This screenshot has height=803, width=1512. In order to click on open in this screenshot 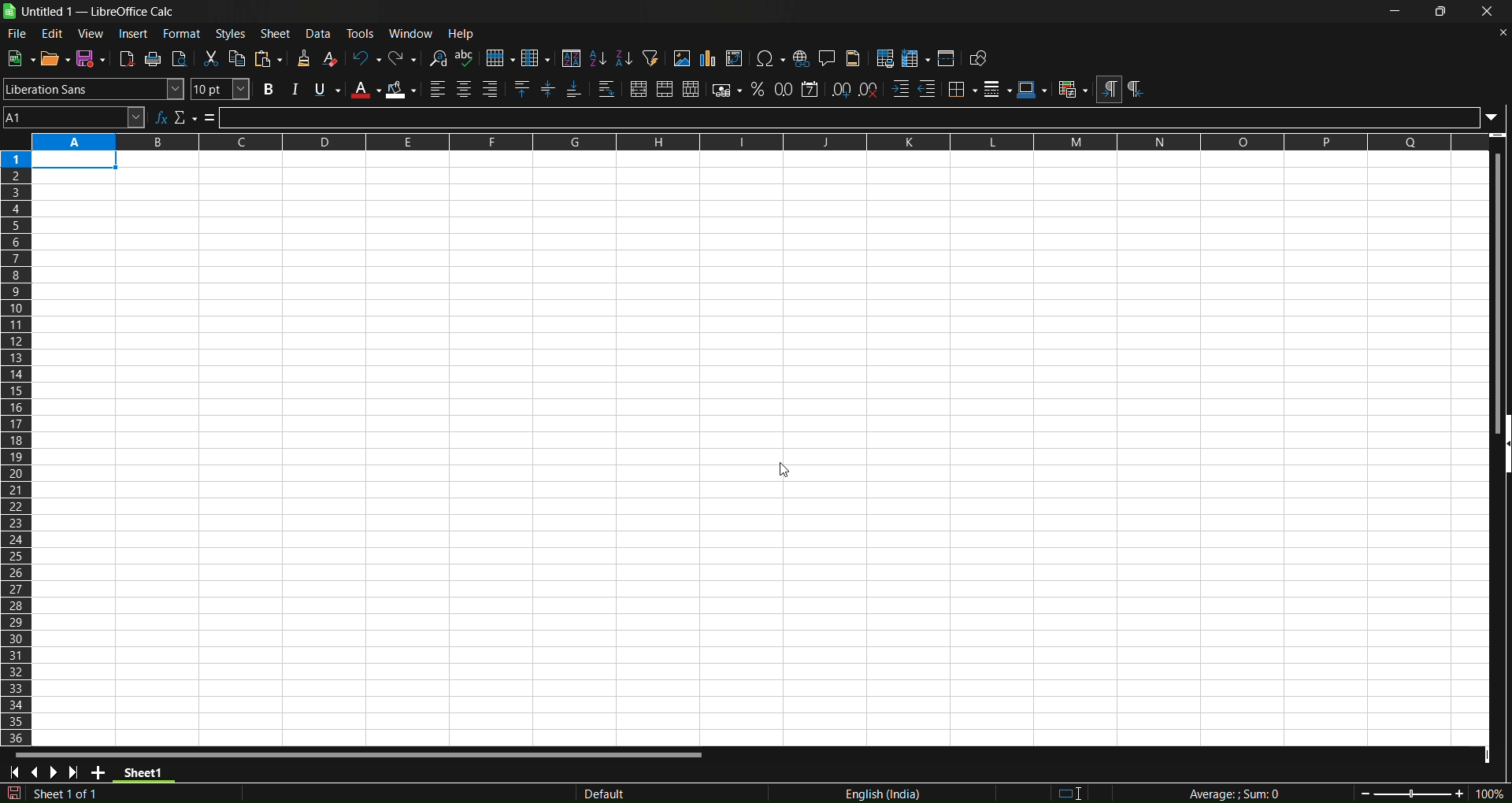, I will do `click(54, 57)`.